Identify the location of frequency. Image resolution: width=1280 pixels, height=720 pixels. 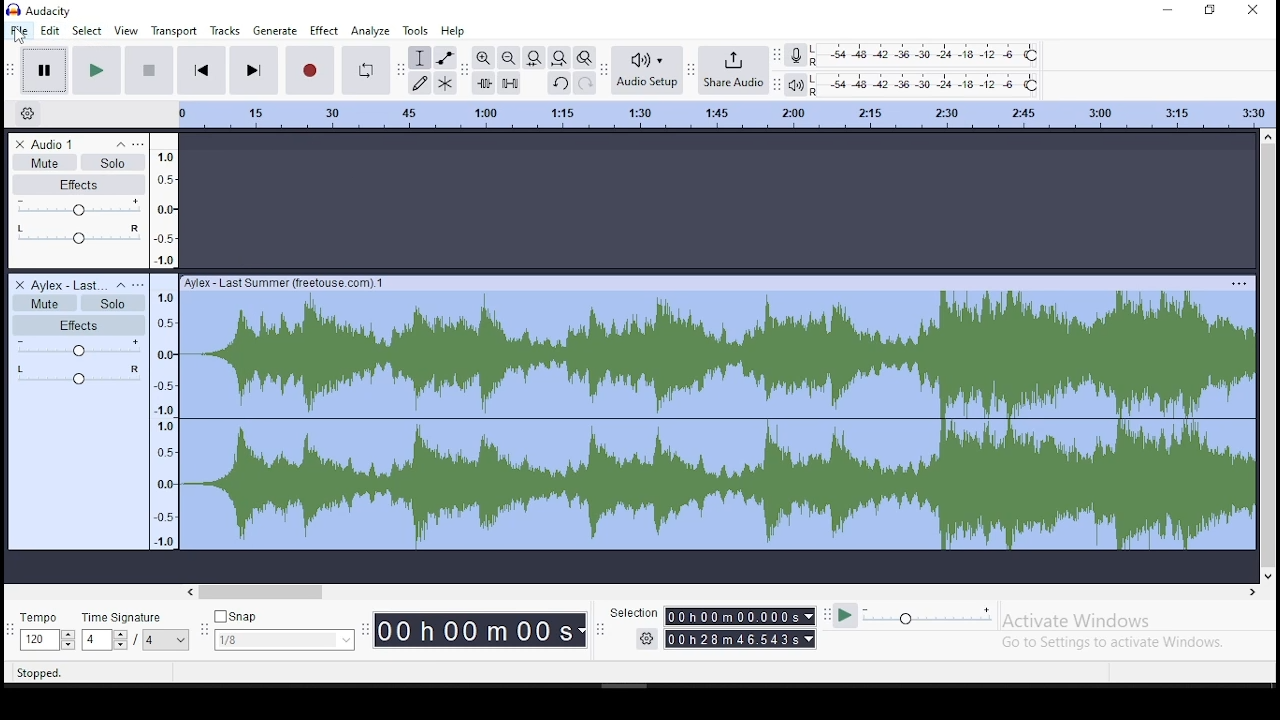
(164, 200).